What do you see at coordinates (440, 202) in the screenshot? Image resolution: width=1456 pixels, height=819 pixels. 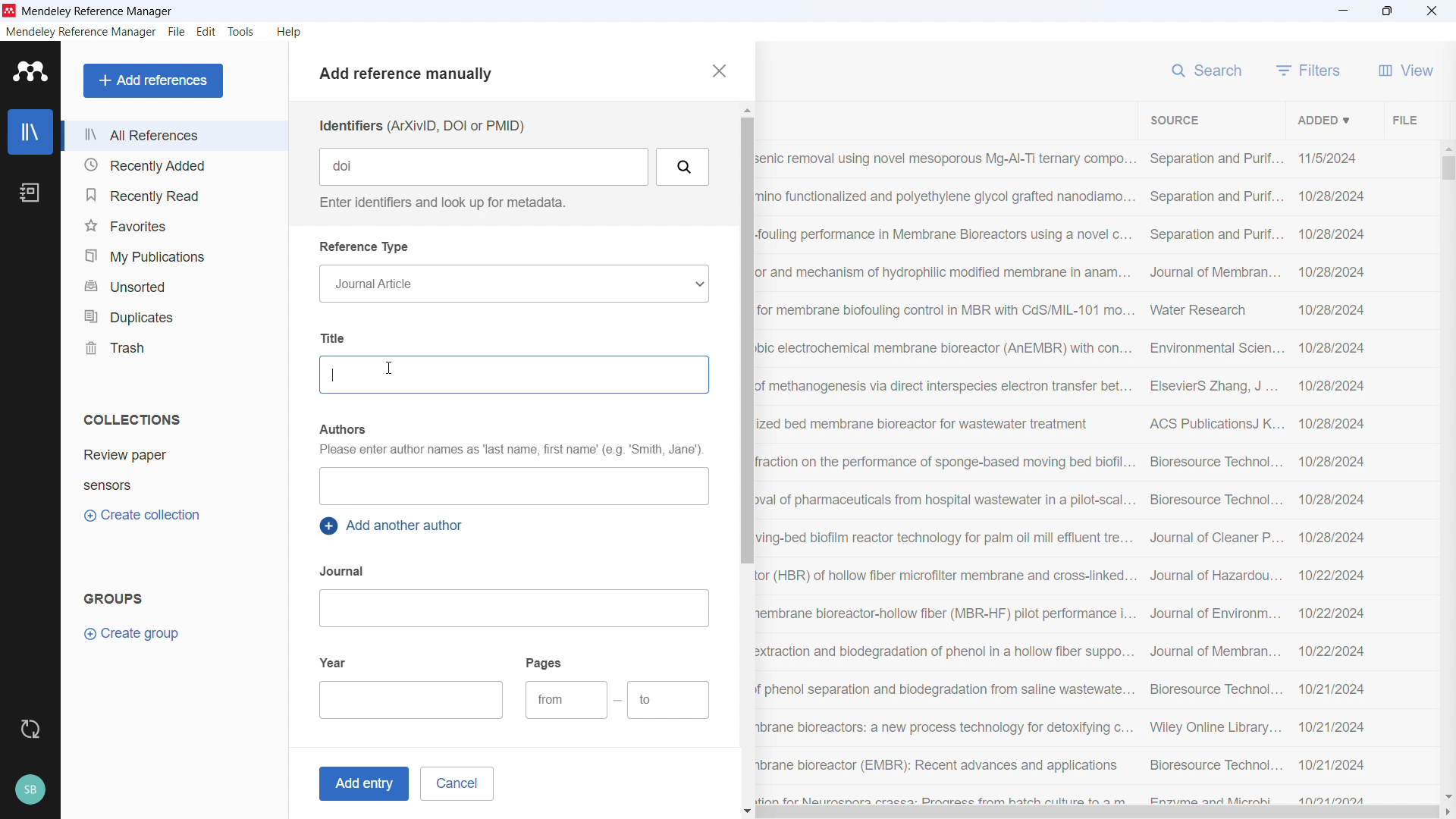 I see `Enter identifiers and look up for metadata` at bounding box center [440, 202].